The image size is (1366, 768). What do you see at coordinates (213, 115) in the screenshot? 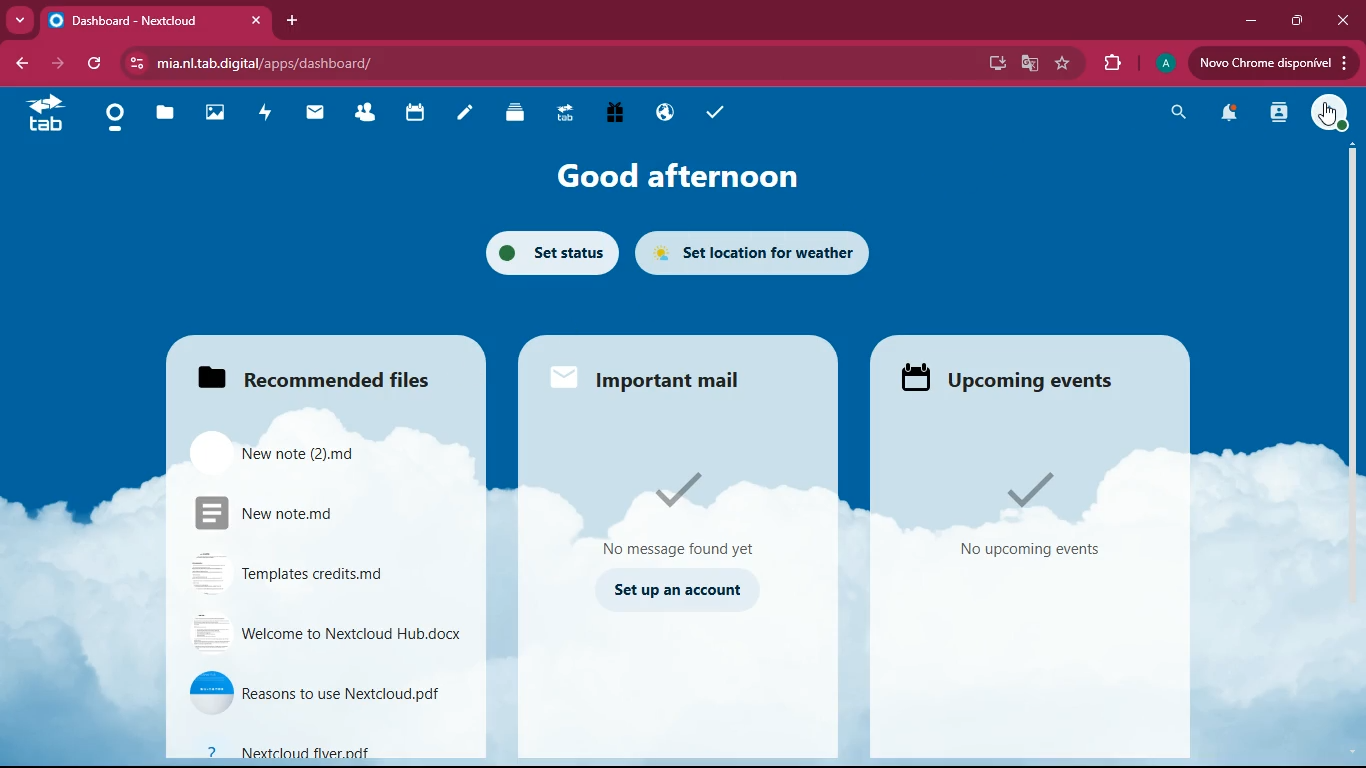
I see `images` at bounding box center [213, 115].